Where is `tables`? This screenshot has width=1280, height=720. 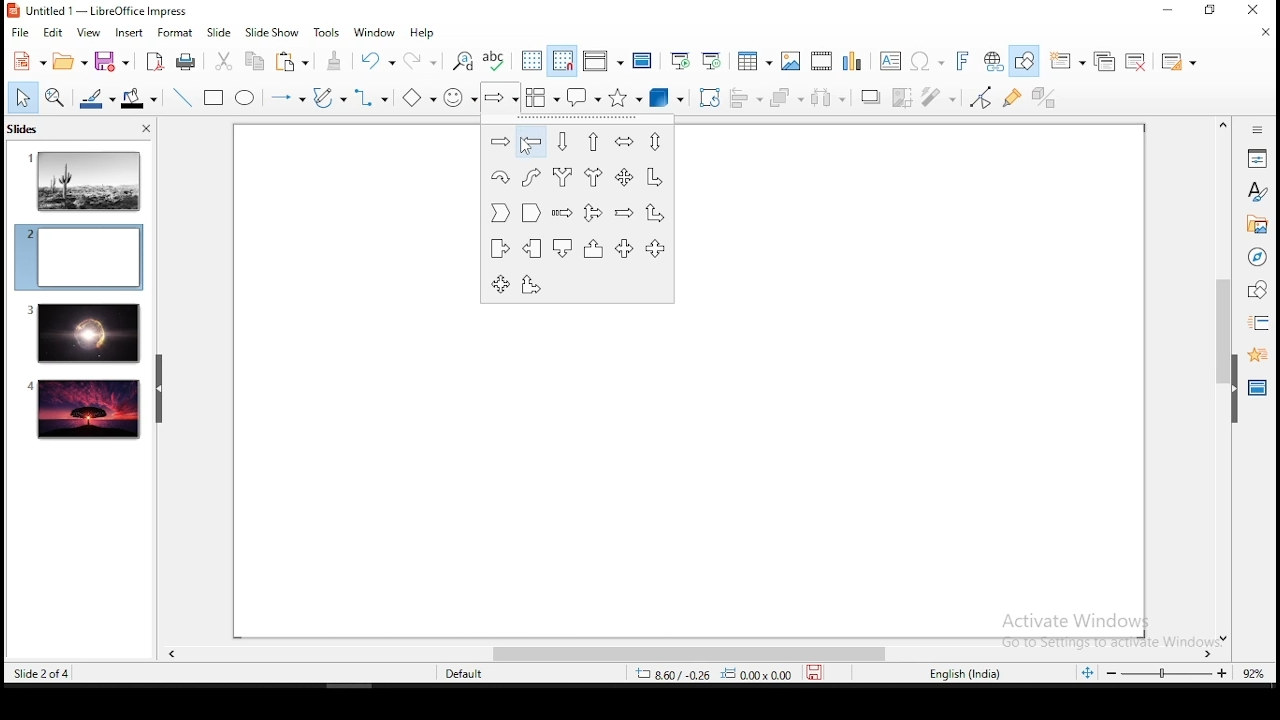
tables is located at coordinates (752, 60).